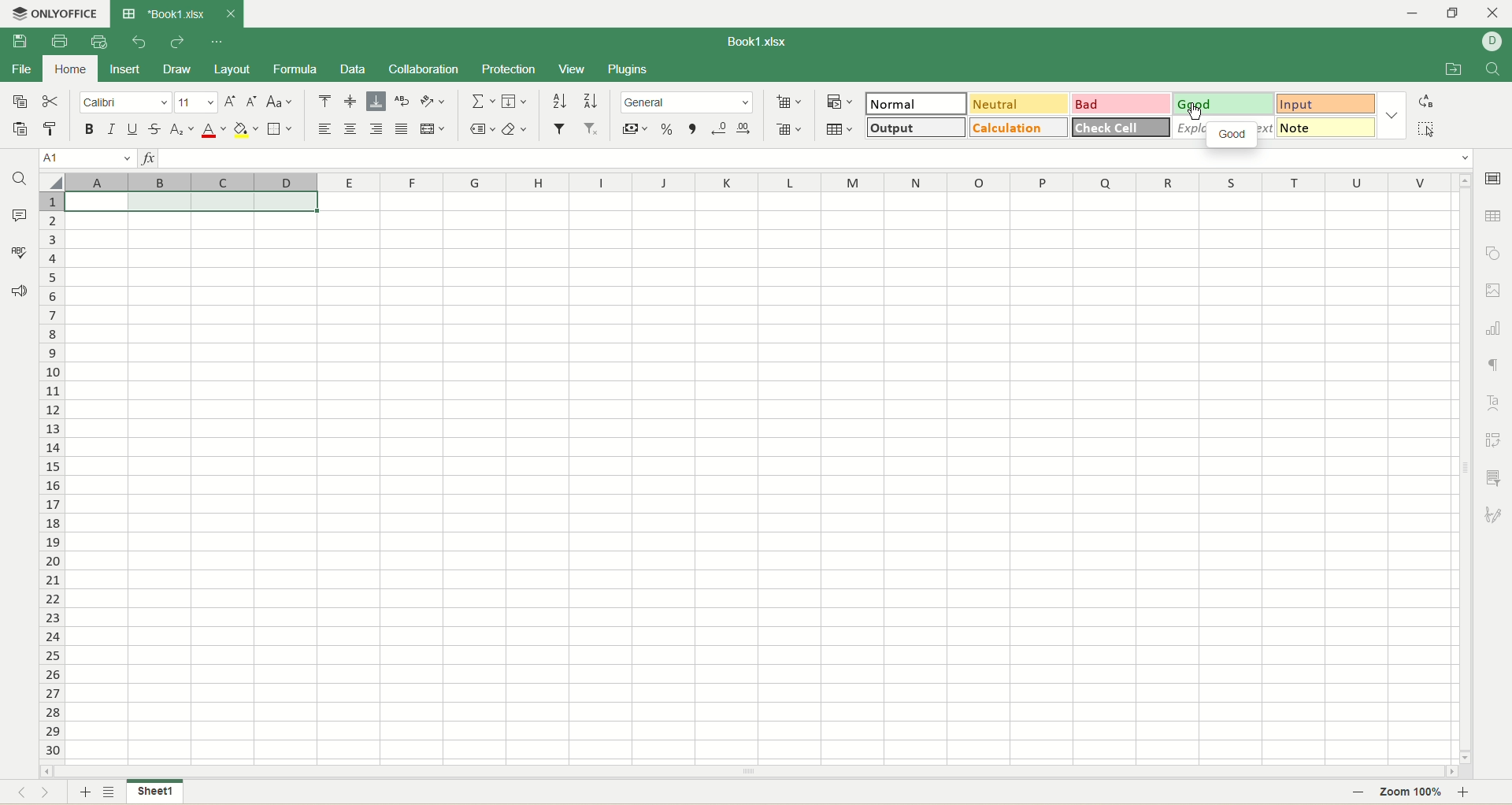 Image resolution: width=1512 pixels, height=805 pixels. Describe the element at coordinates (1451, 69) in the screenshot. I see `open file location` at that location.